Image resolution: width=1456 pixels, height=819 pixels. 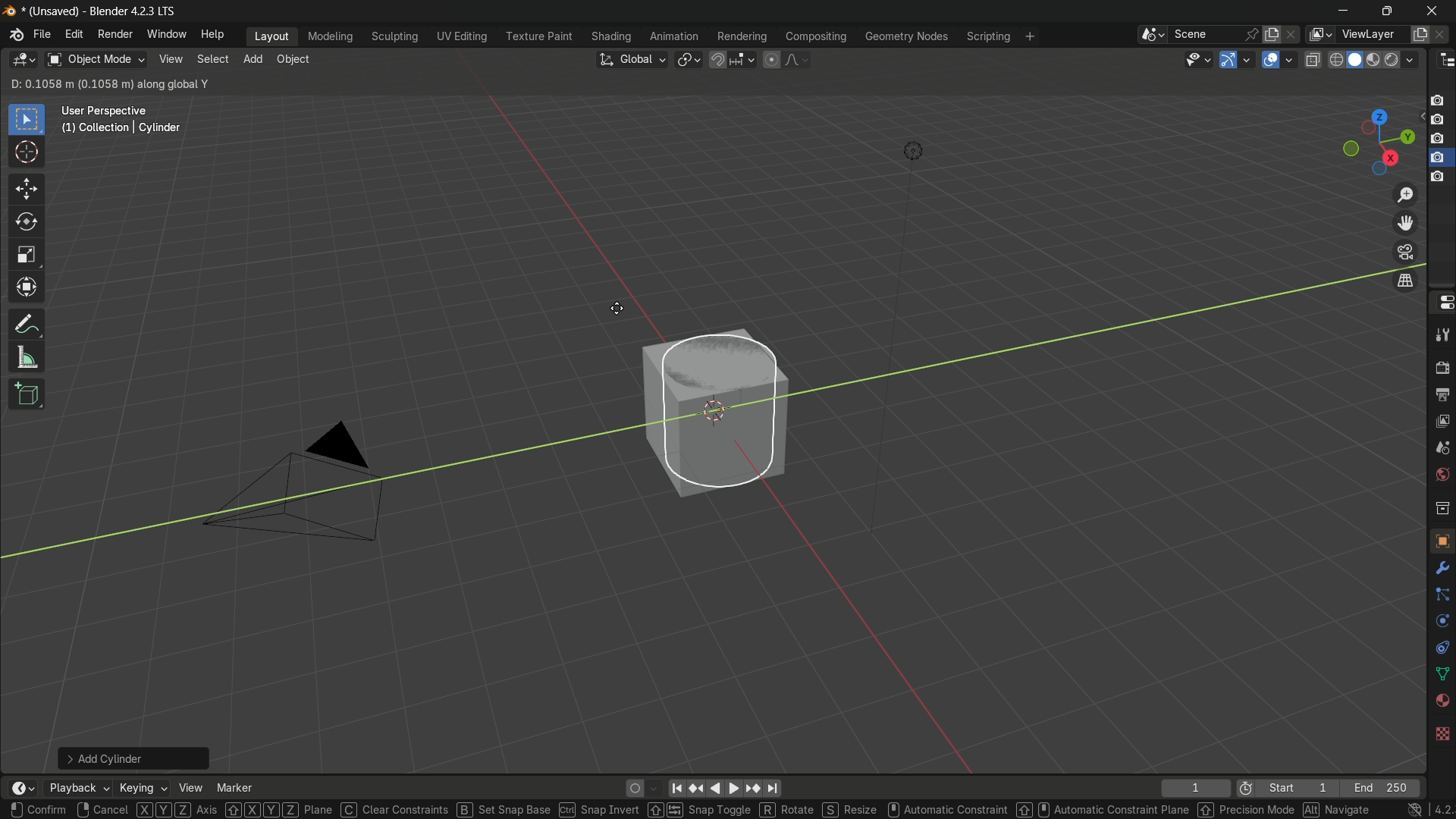 I want to click on zoom in/out, so click(x=1405, y=194).